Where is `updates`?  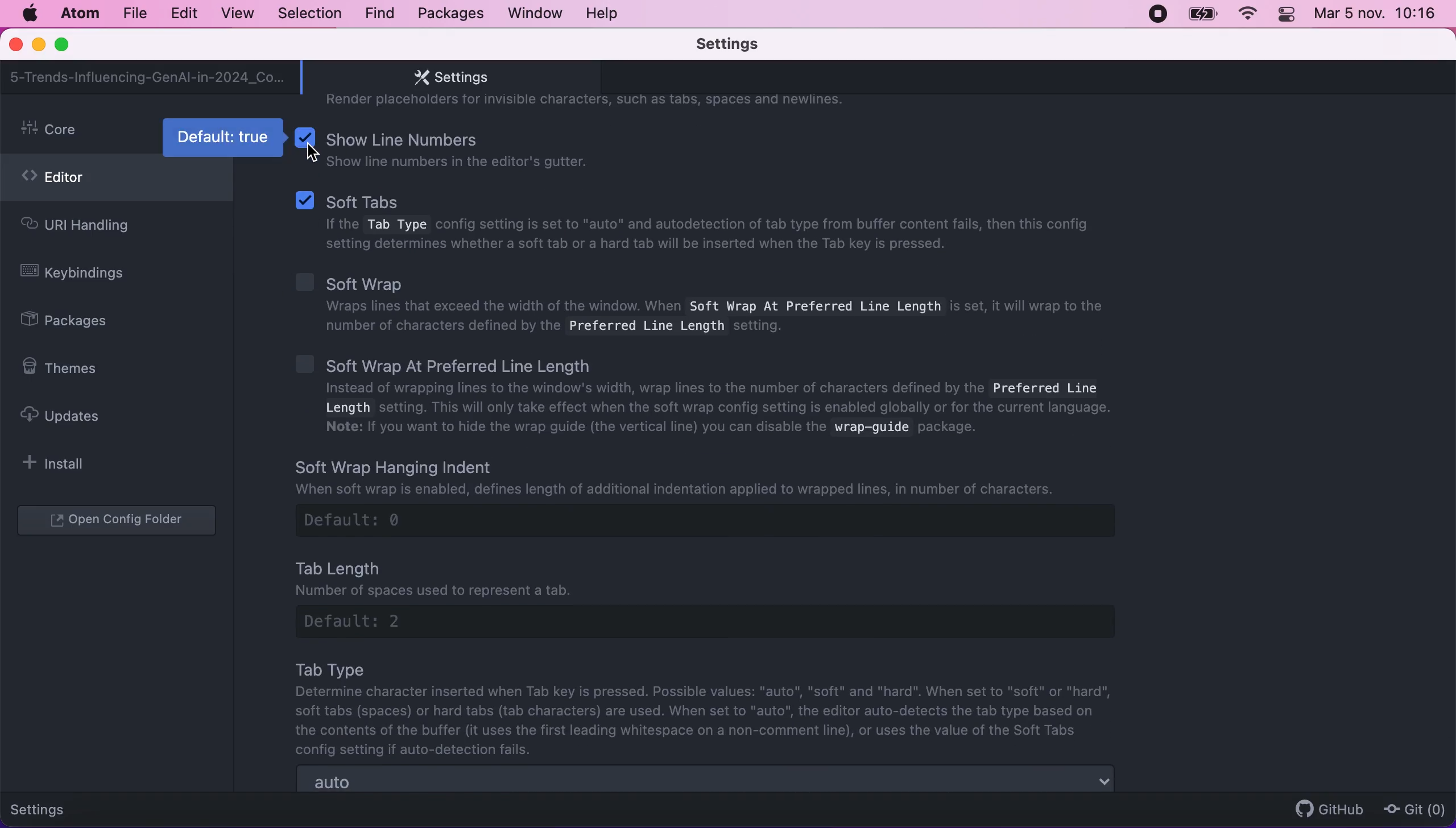 updates is located at coordinates (71, 415).